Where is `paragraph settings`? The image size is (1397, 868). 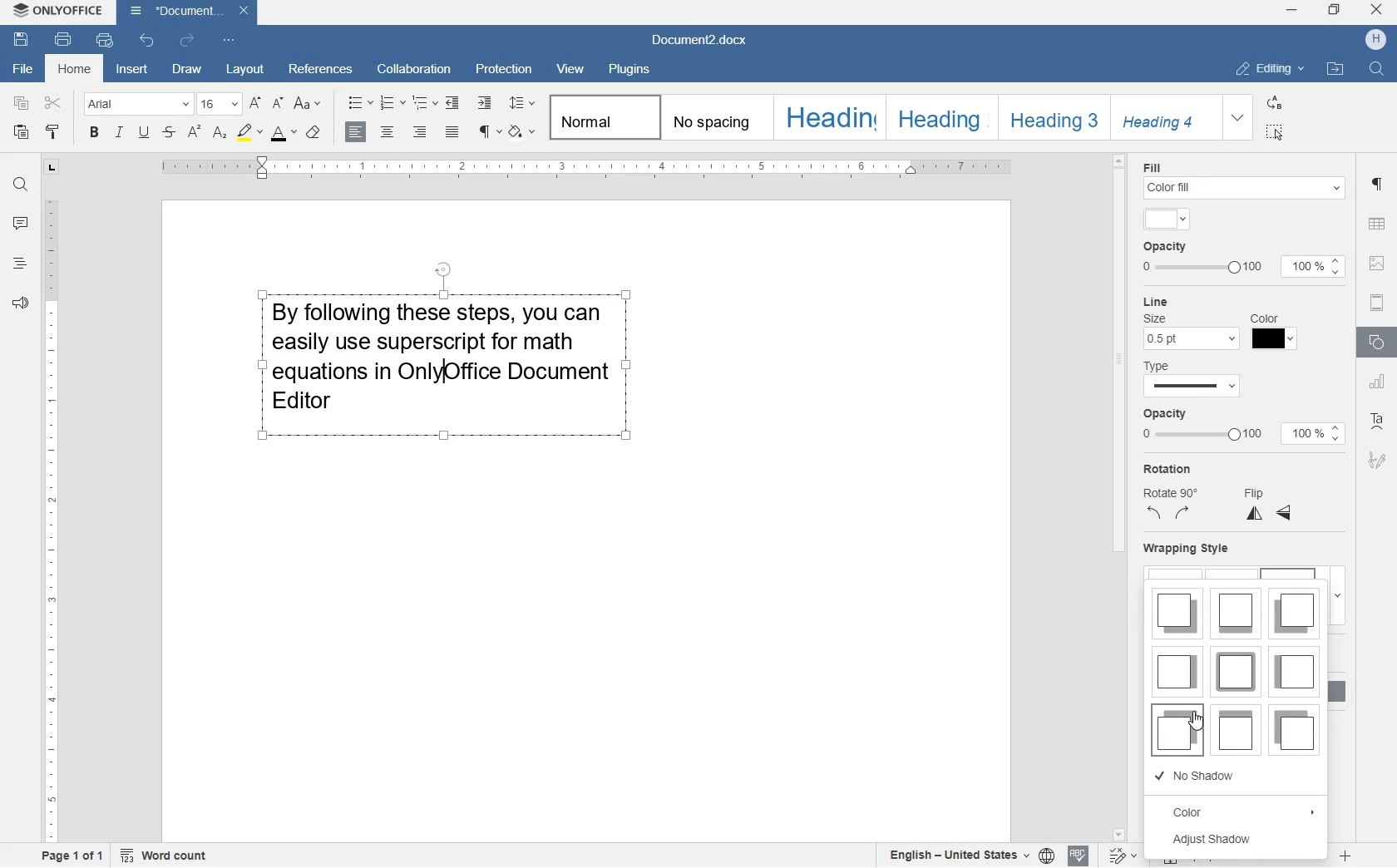
paragraph settings is located at coordinates (1377, 185).